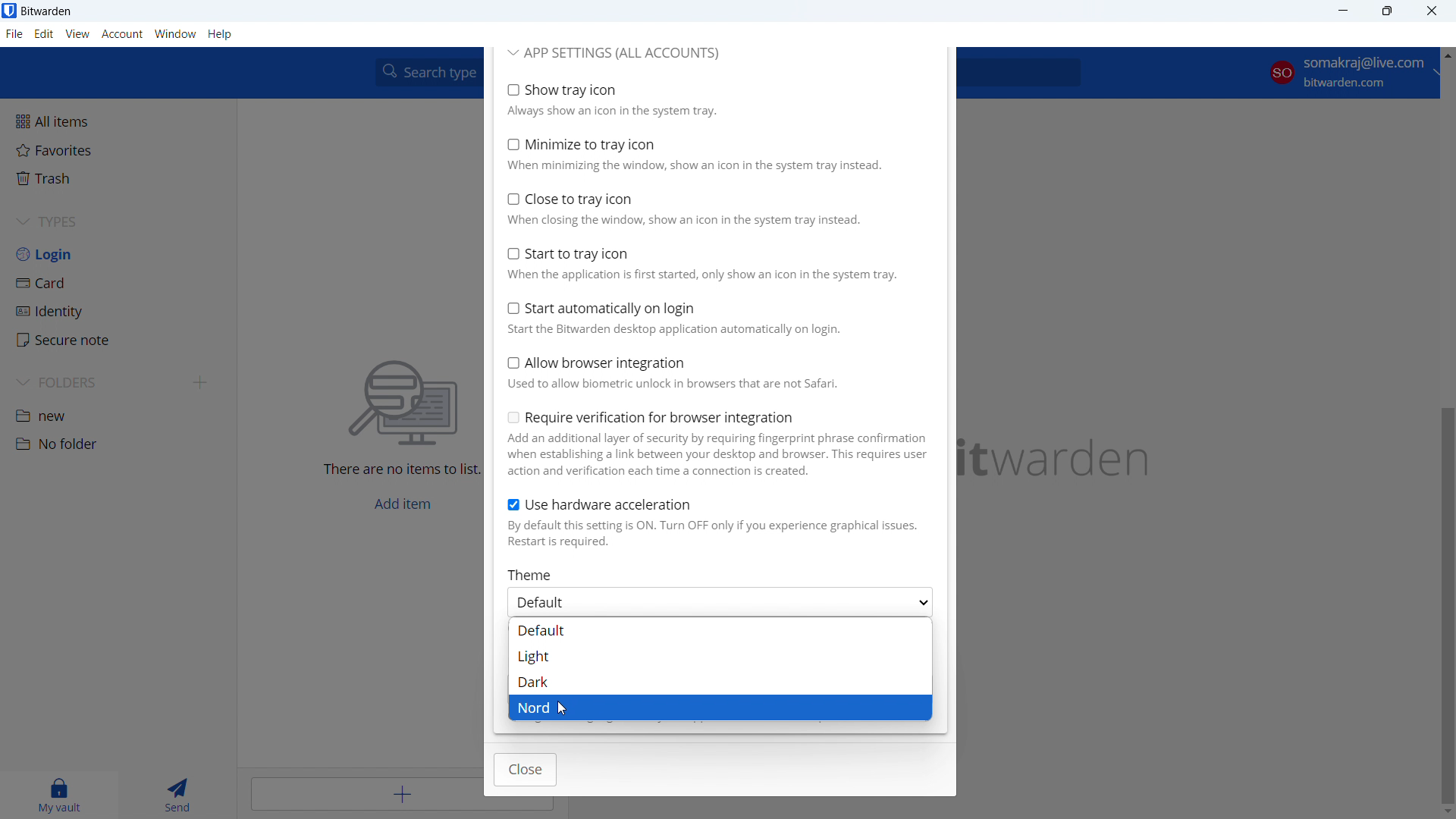 The width and height of the screenshot is (1456, 819). I want to click on light, so click(718, 656).